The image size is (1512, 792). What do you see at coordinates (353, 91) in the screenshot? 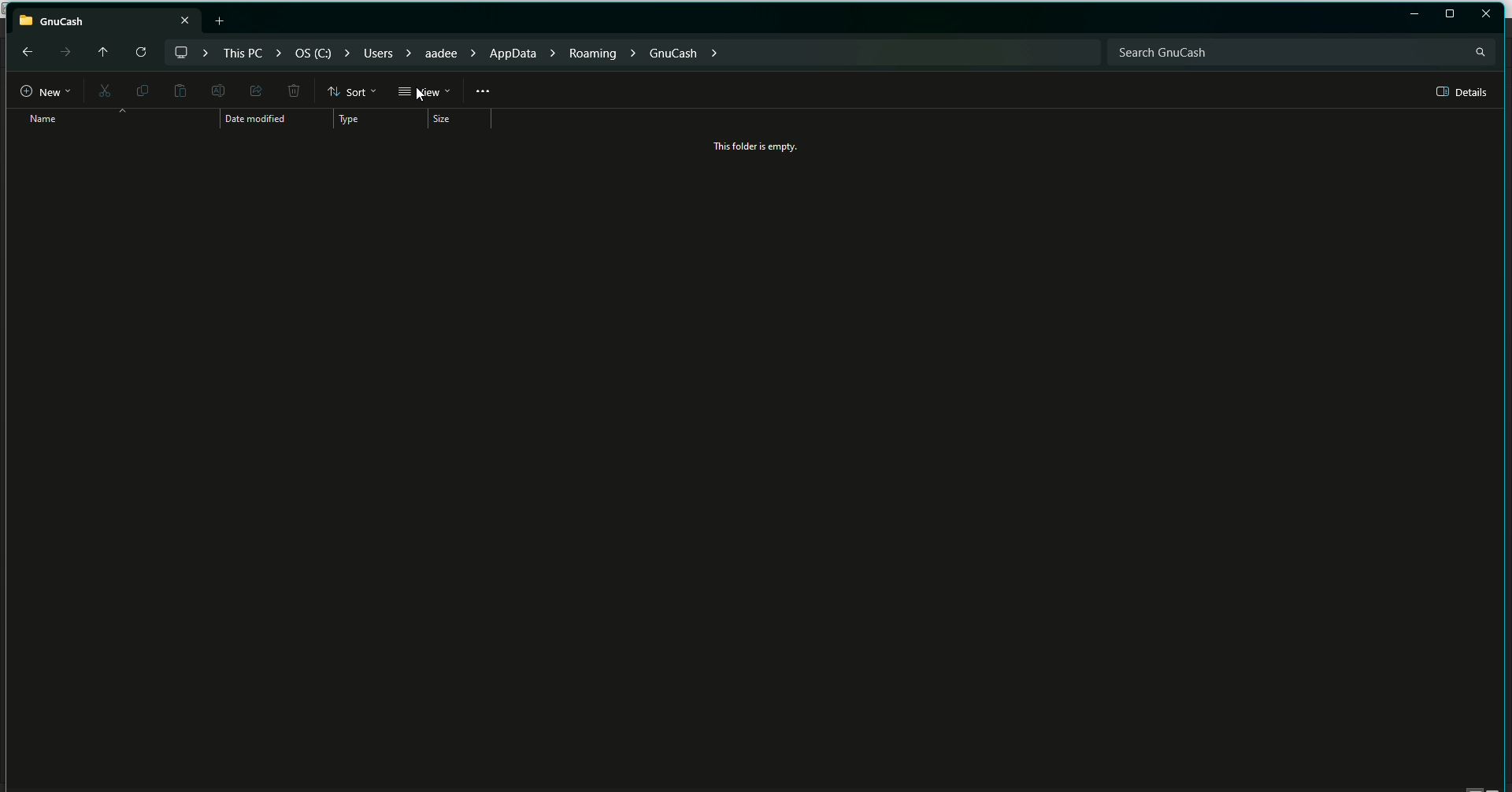
I see `Sort` at bounding box center [353, 91].